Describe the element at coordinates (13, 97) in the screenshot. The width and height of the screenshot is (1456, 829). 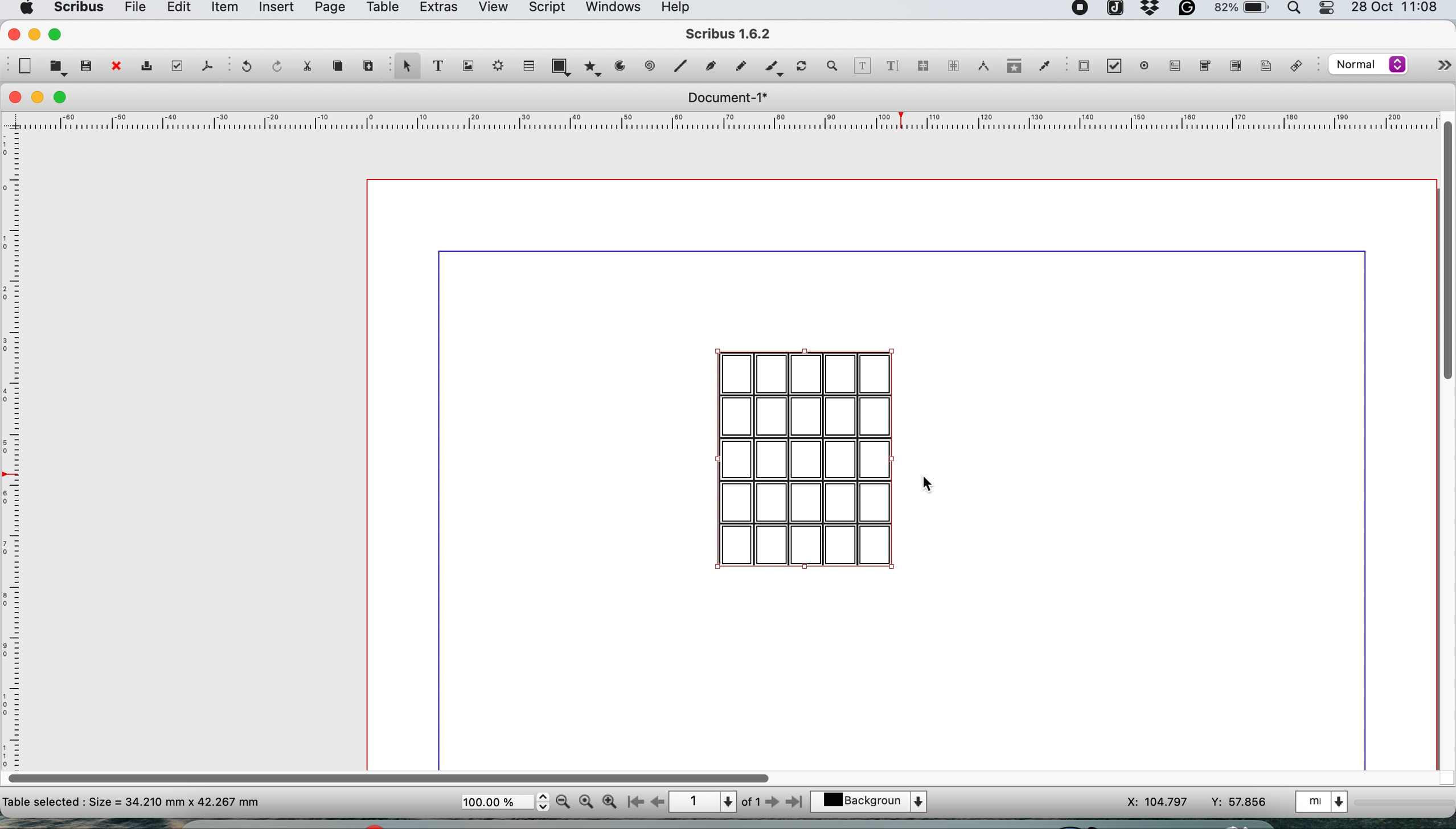
I see `close` at that location.